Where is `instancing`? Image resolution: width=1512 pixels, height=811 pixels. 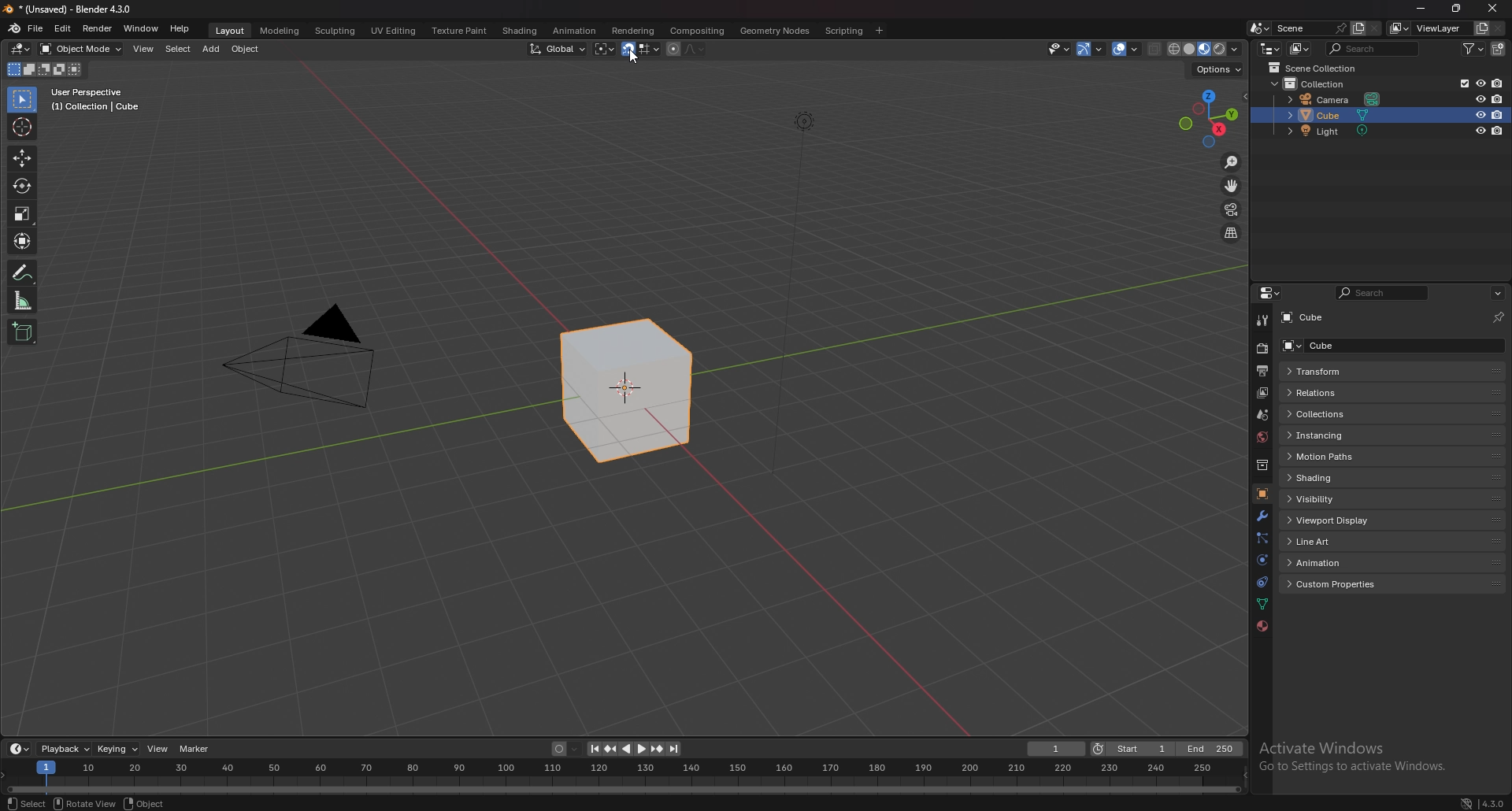 instancing is located at coordinates (1332, 435).